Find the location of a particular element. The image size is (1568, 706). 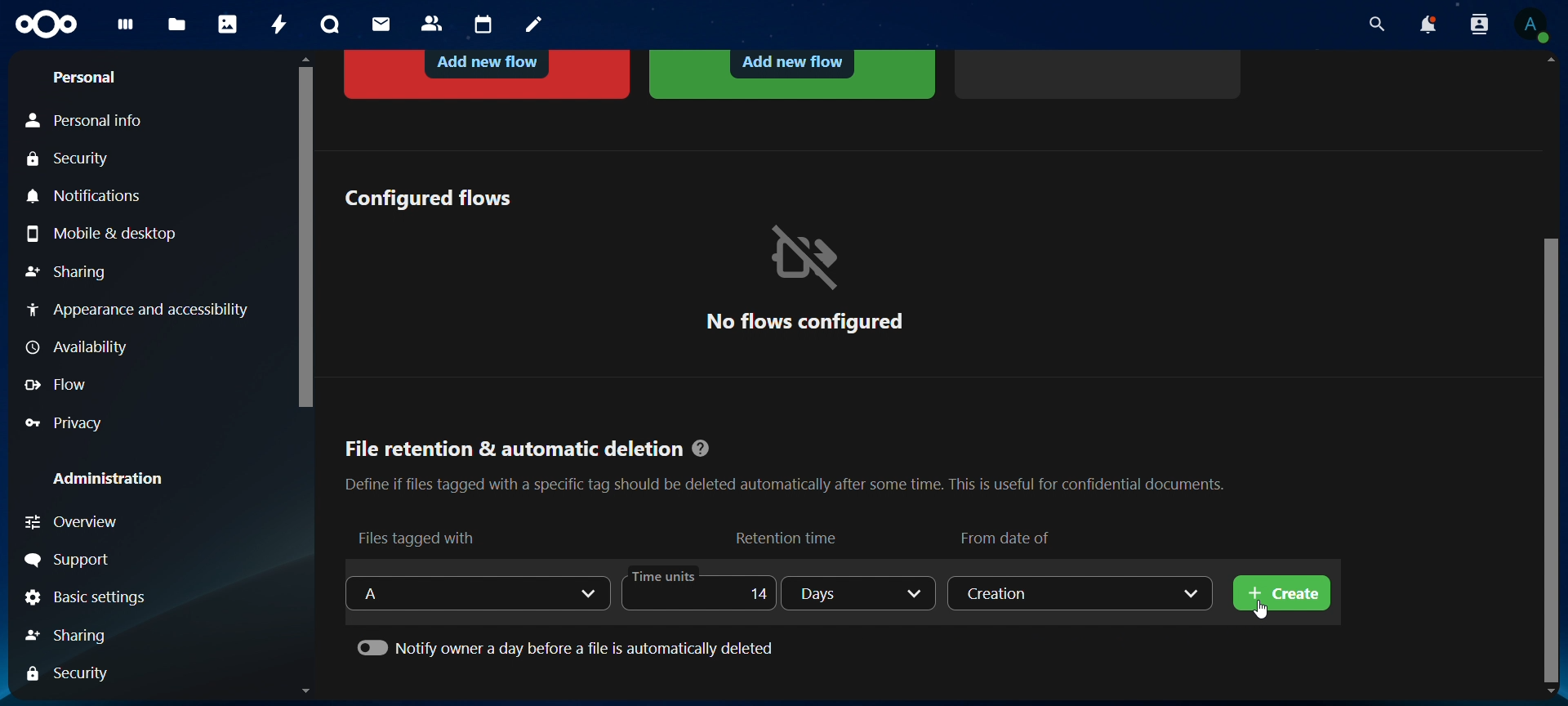

calendar is located at coordinates (484, 25).